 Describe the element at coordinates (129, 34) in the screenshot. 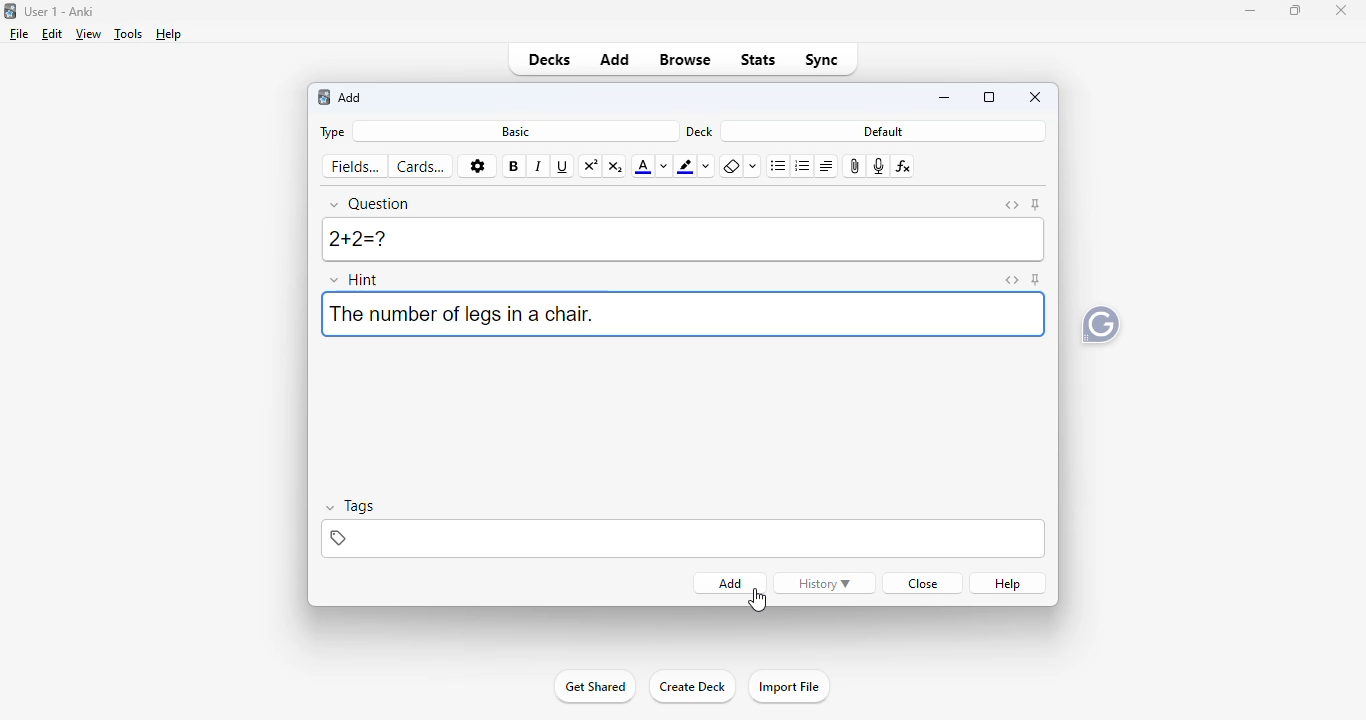

I see `tools` at that location.